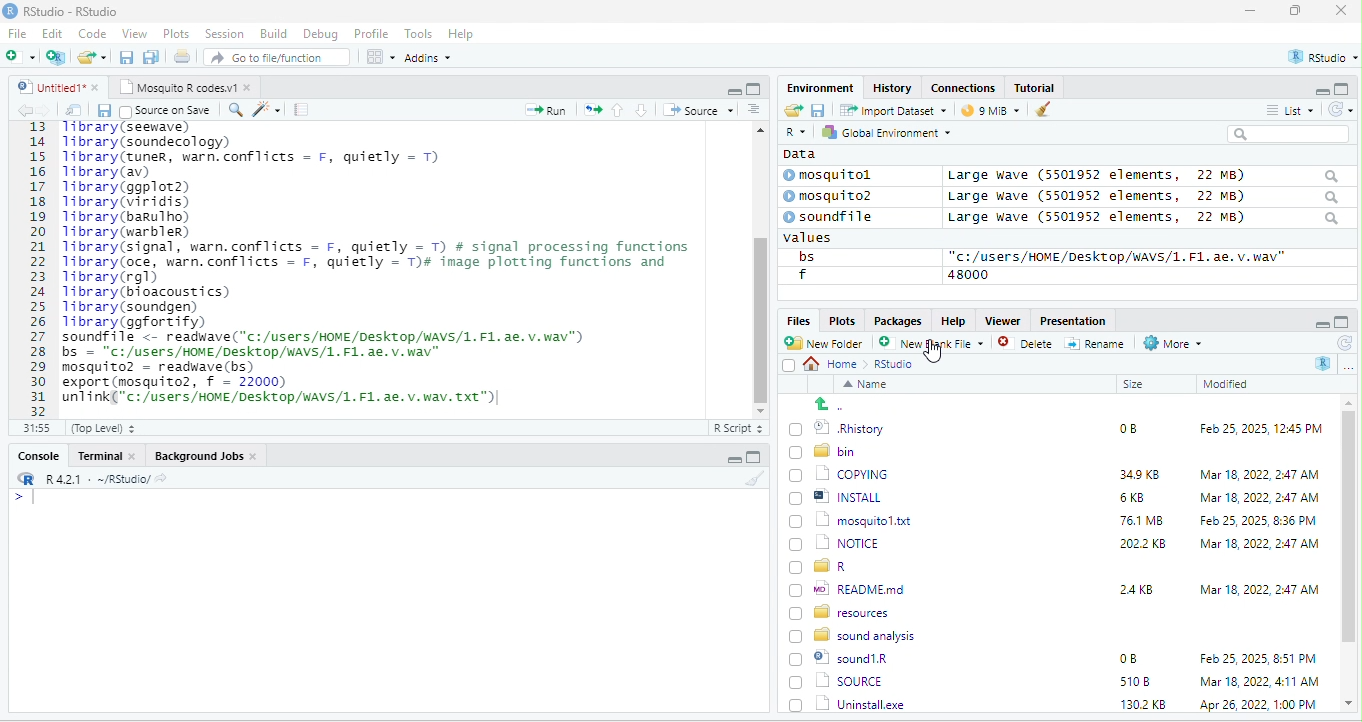 The height and width of the screenshot is (722, 1362). Describe the element at coordinates (834, 194) in the screenshot. I see `© mosquito?` at that location.